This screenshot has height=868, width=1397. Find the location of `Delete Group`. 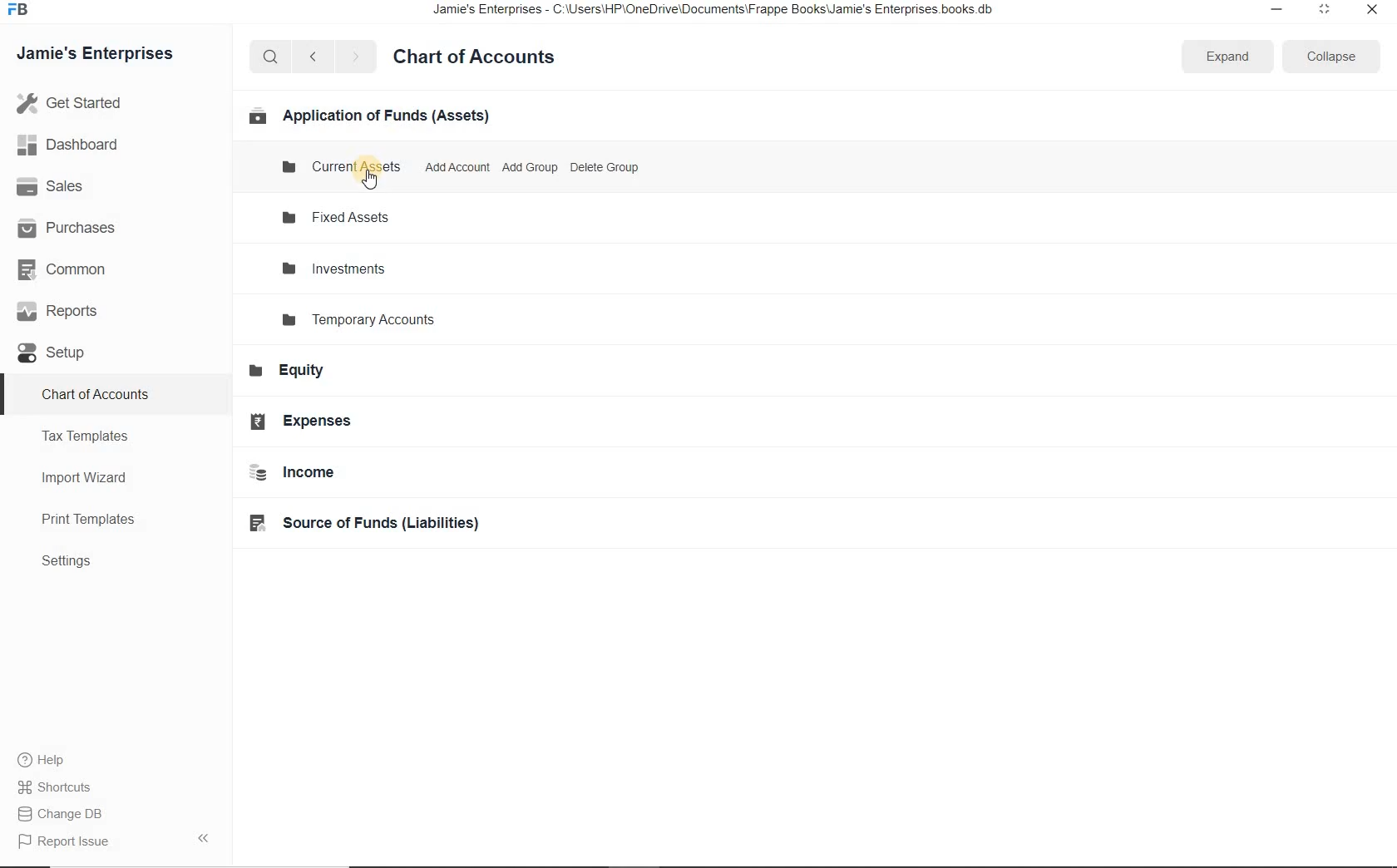

Delete Group is located at coordinates (604, 168).